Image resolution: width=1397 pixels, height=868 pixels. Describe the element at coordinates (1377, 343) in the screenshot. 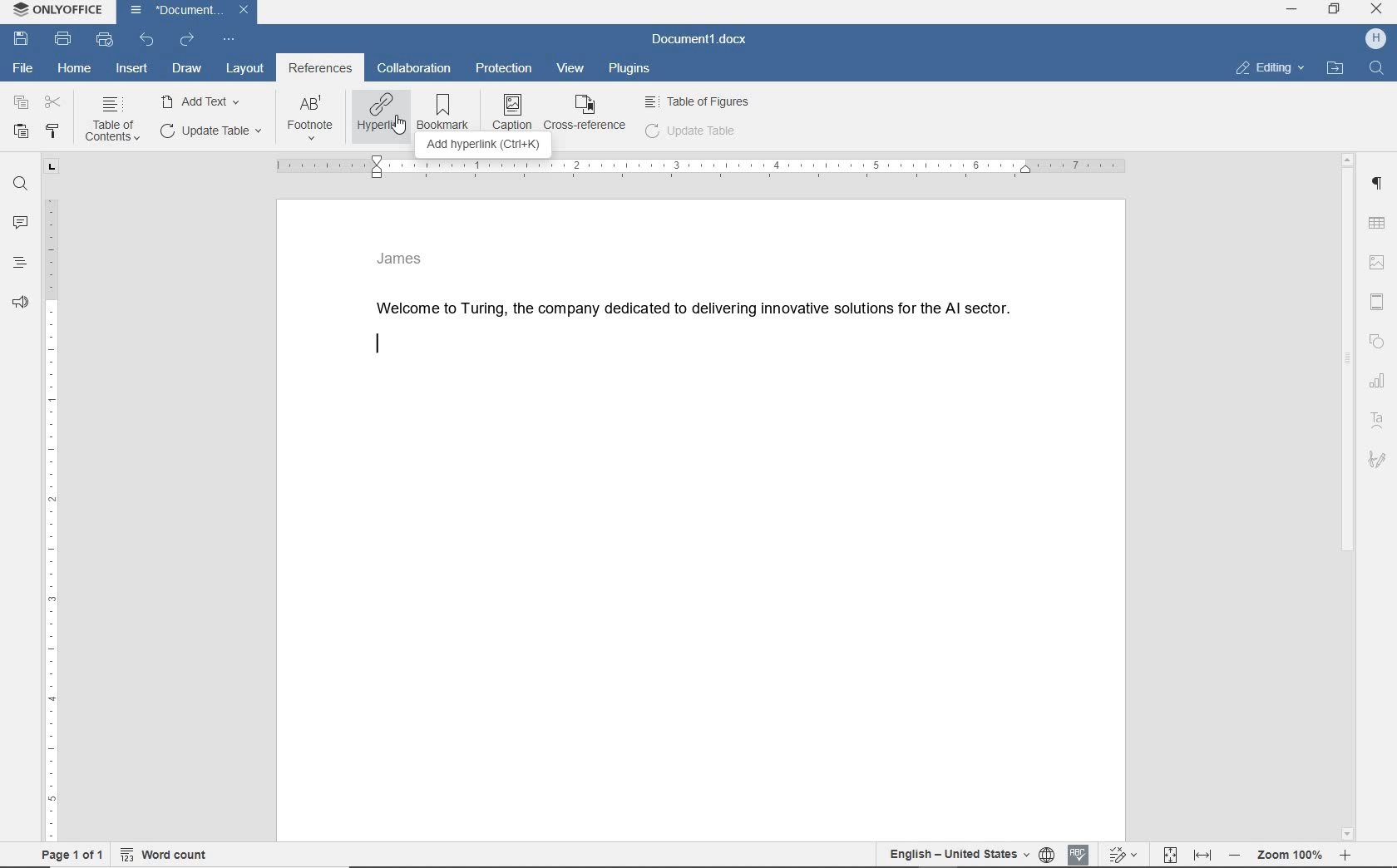

I see `shape` at that location.